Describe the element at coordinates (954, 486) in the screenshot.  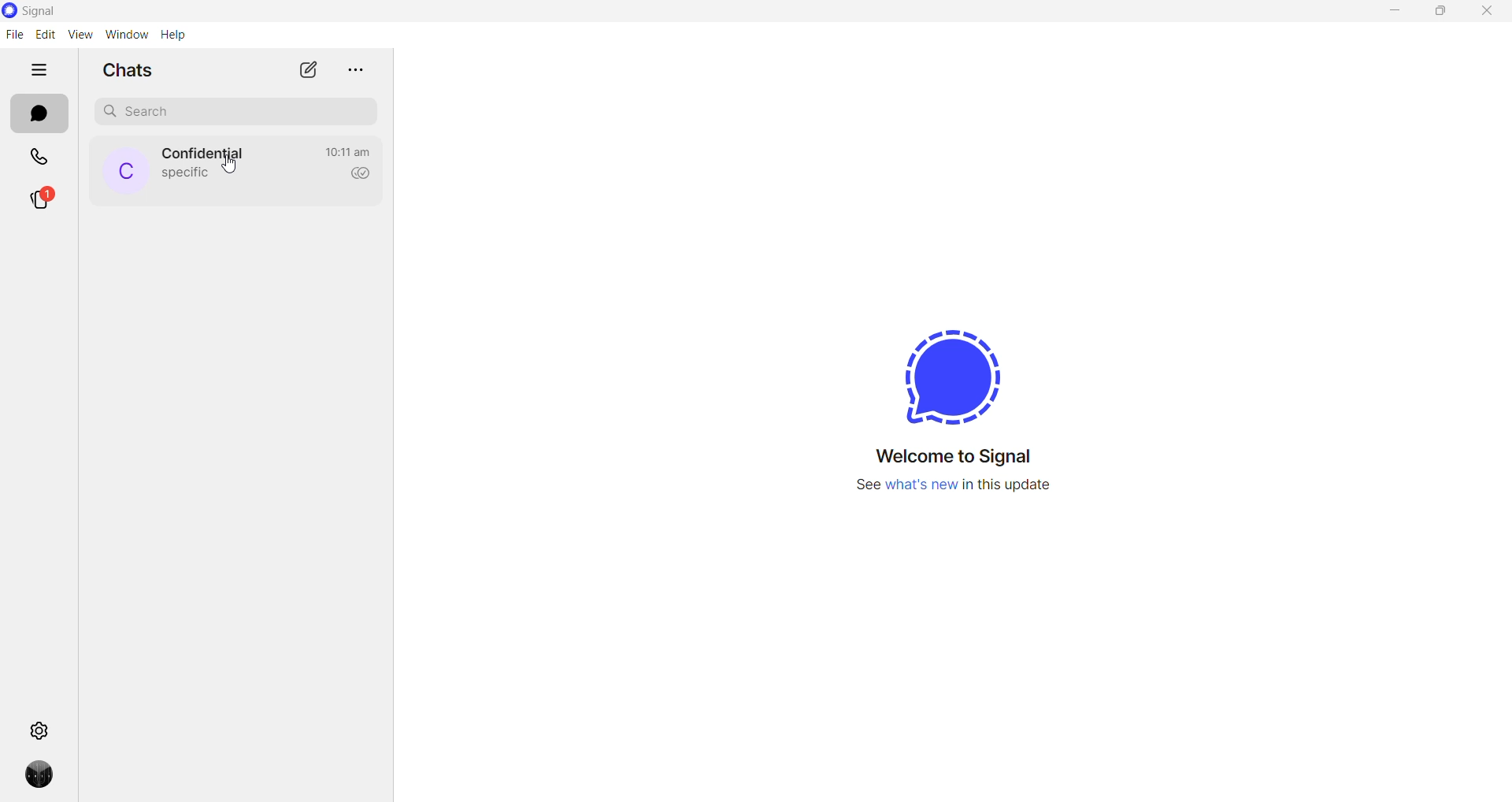
I see `text regarding new update` at that location.